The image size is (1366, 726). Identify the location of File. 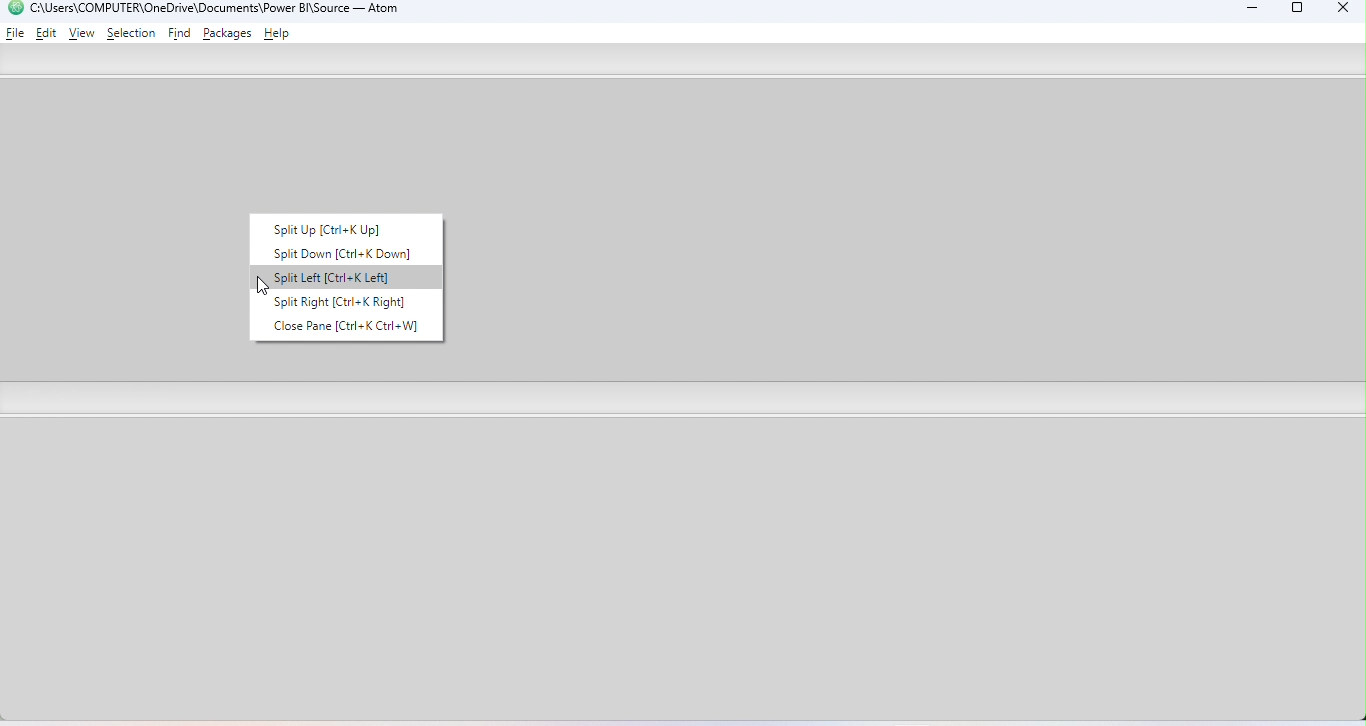
(16, 32).